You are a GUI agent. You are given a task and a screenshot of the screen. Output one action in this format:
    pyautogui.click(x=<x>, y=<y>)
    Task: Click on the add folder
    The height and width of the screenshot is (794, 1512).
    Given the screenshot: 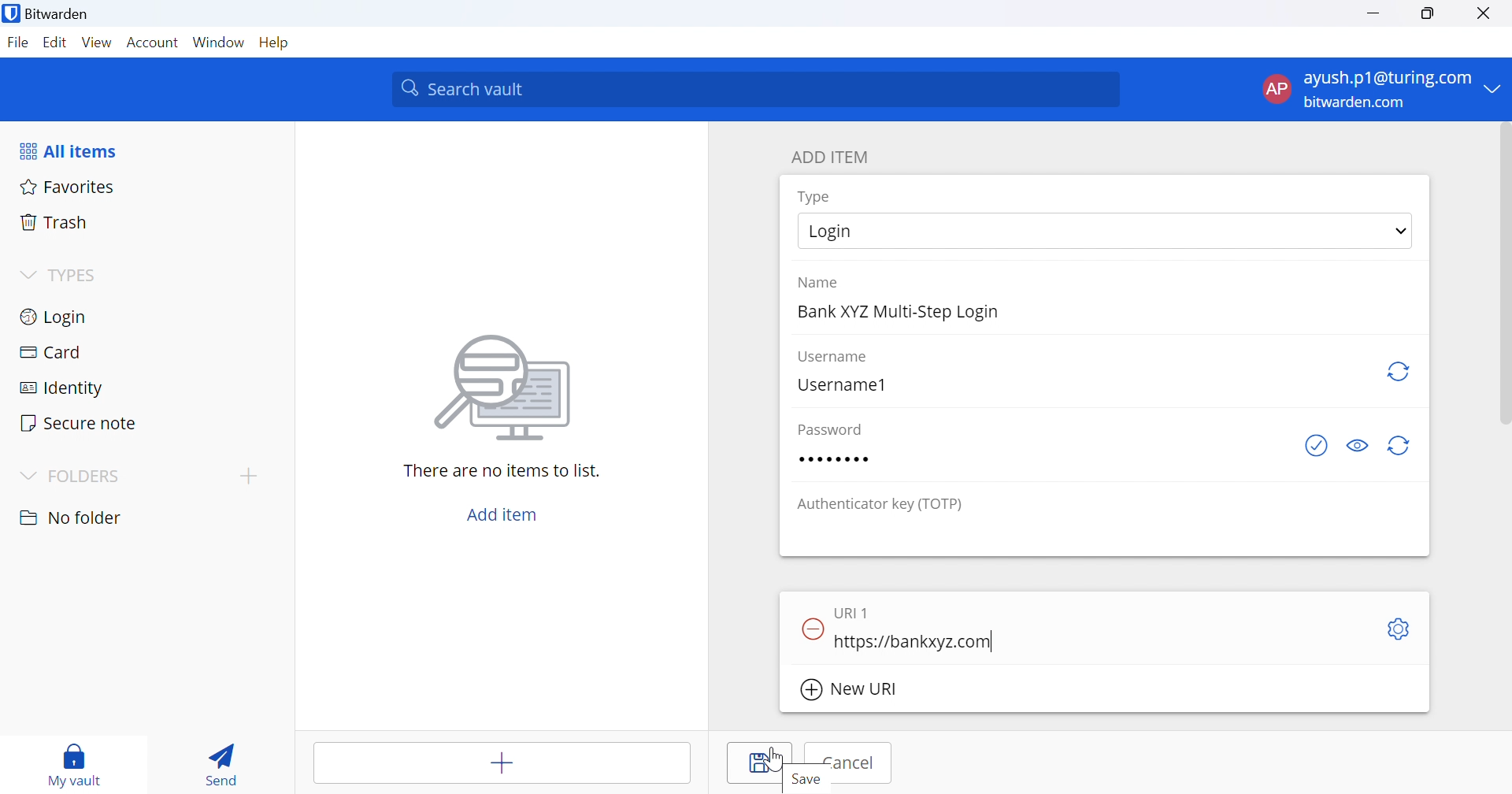 What is the action you would take?
    pyautogui.click(x=252, y=476)
    